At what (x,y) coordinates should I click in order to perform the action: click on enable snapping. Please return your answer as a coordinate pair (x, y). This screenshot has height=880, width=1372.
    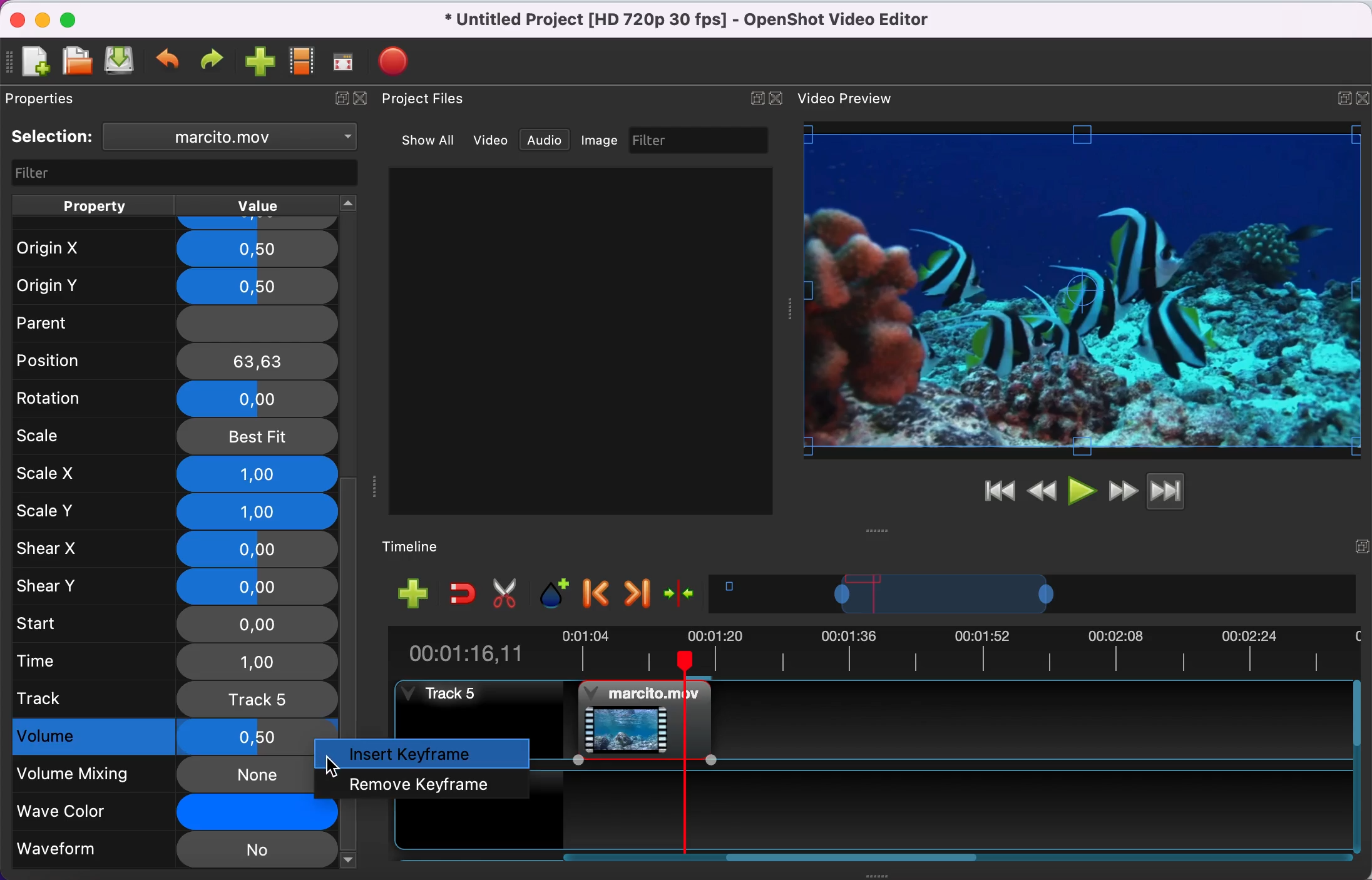
    Looking at the image, I should click on (459, 594).